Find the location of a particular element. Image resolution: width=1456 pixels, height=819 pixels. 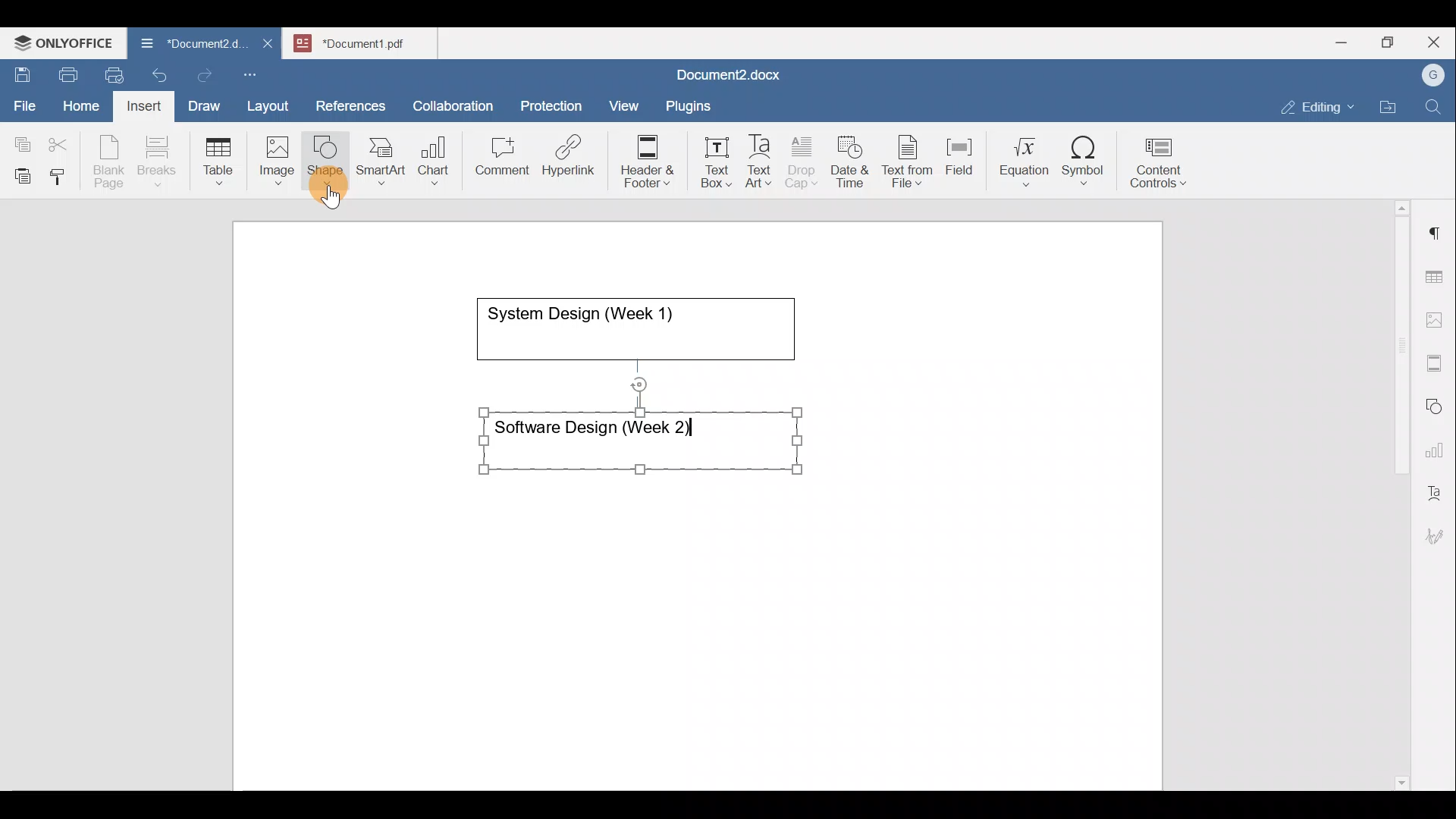

Working area is located at coordinates (704, 510).